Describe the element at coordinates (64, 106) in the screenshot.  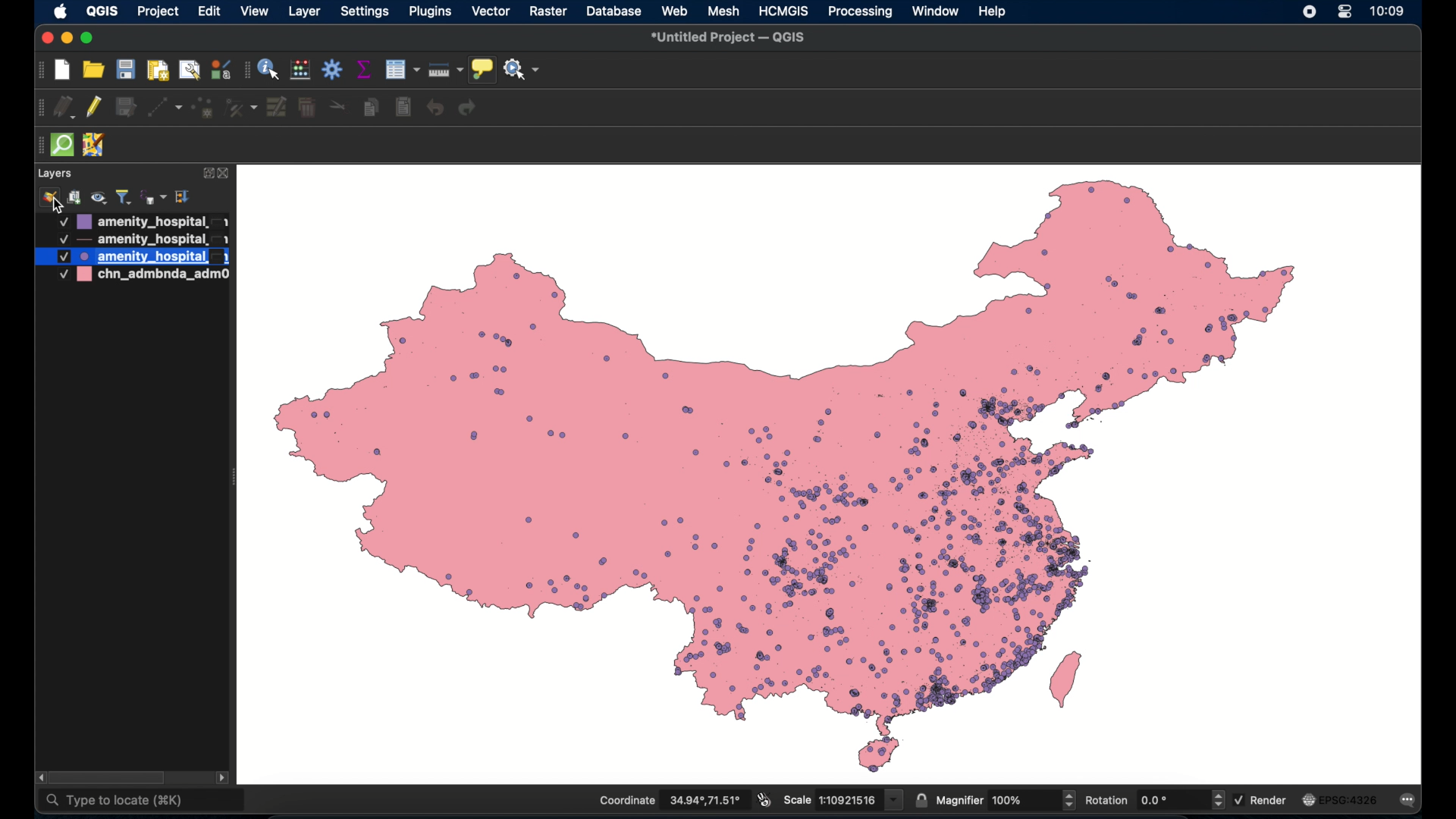
I see `current edits` at that location.